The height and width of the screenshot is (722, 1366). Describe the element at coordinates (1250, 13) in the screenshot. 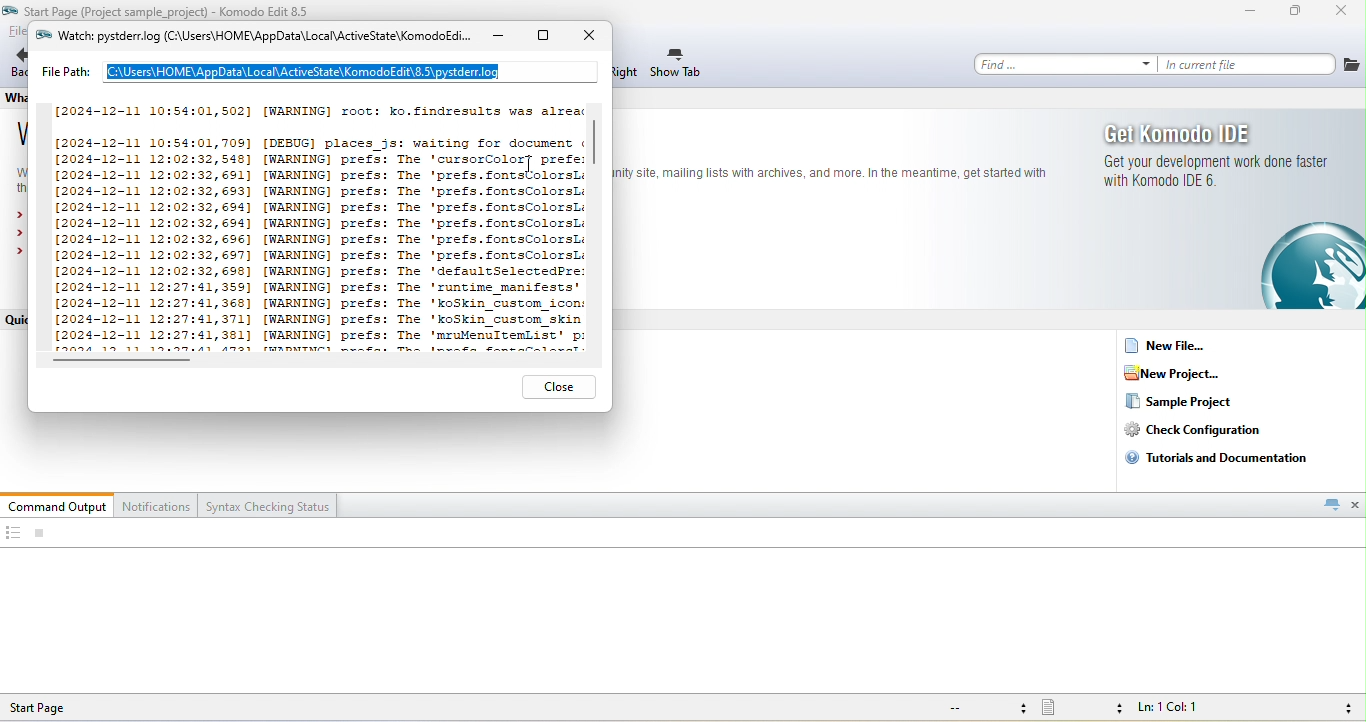

I see `minimize` at that location.